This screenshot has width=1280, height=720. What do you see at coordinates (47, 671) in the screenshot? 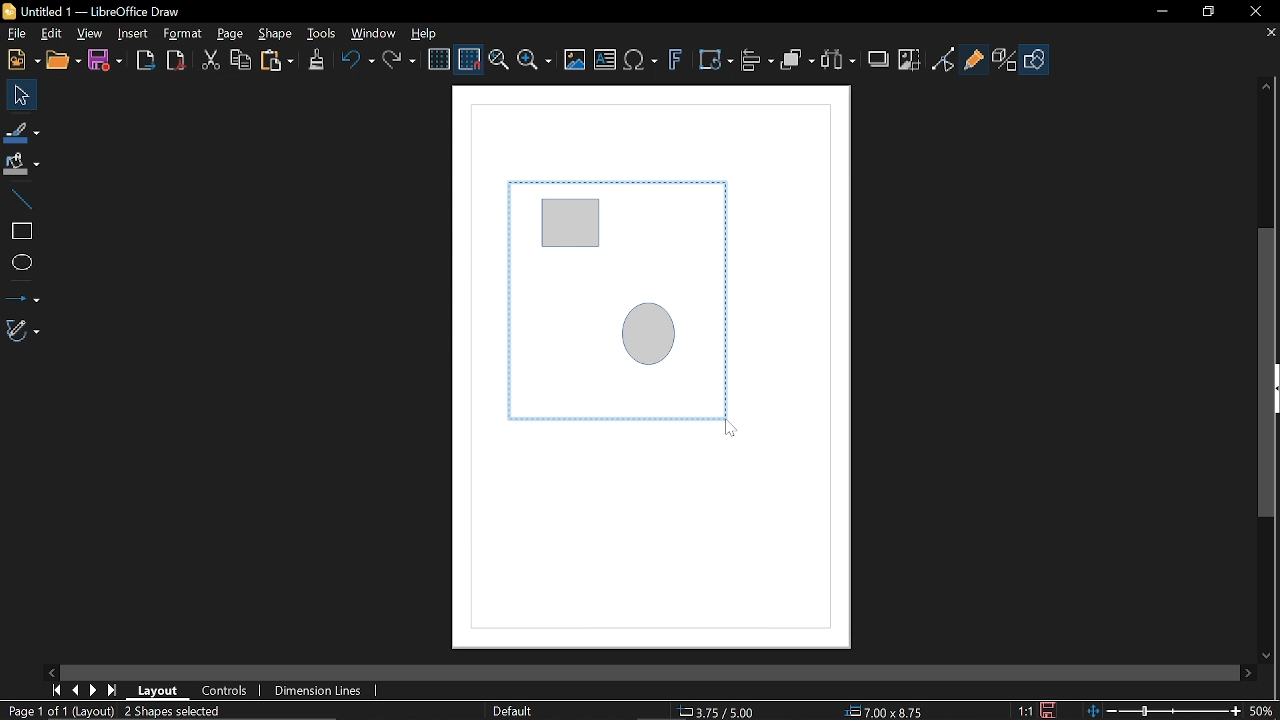
I see `Move left` at bounding box center [47, 671].